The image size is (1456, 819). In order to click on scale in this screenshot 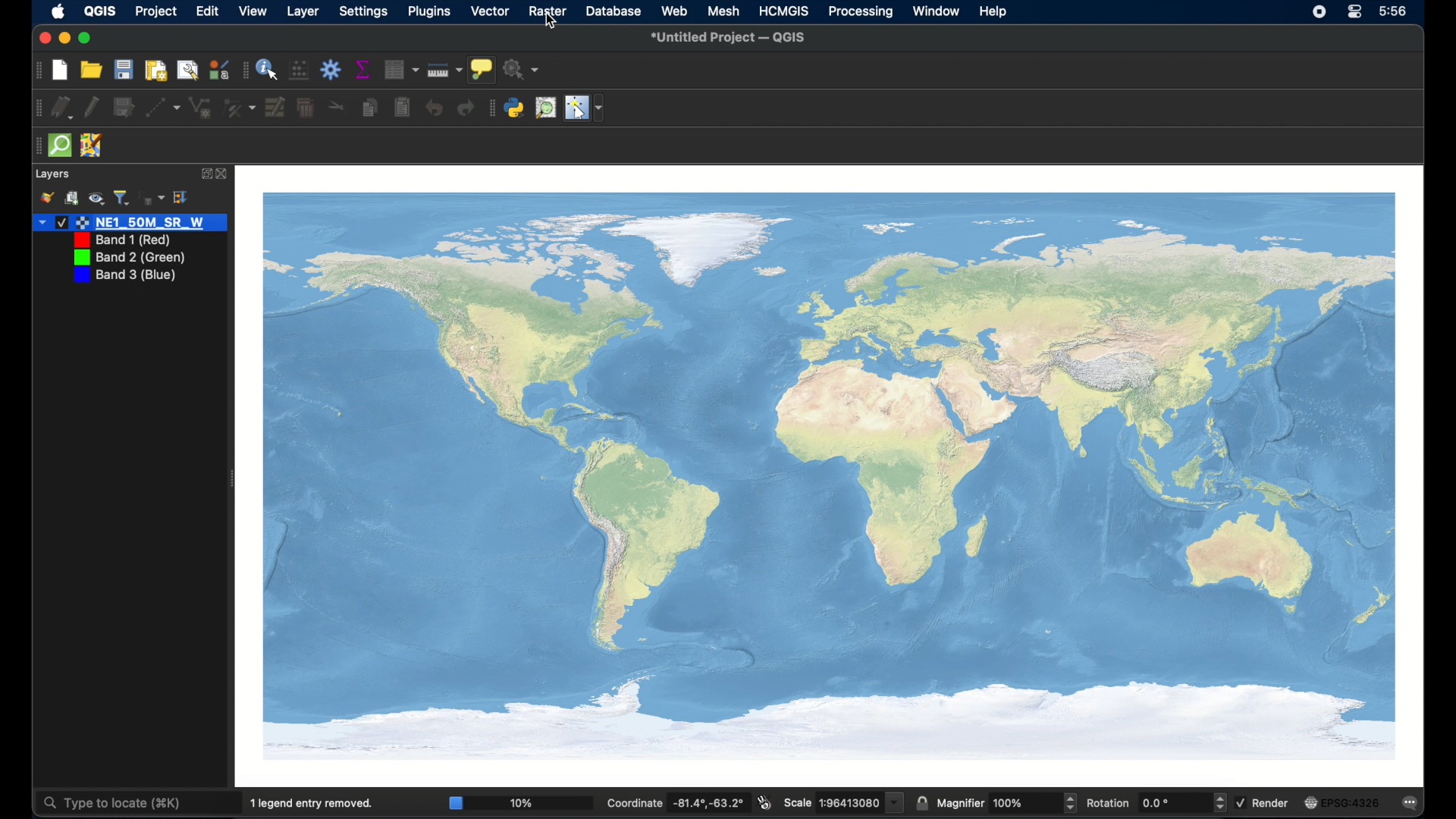, I will do `click(843, 802)`.